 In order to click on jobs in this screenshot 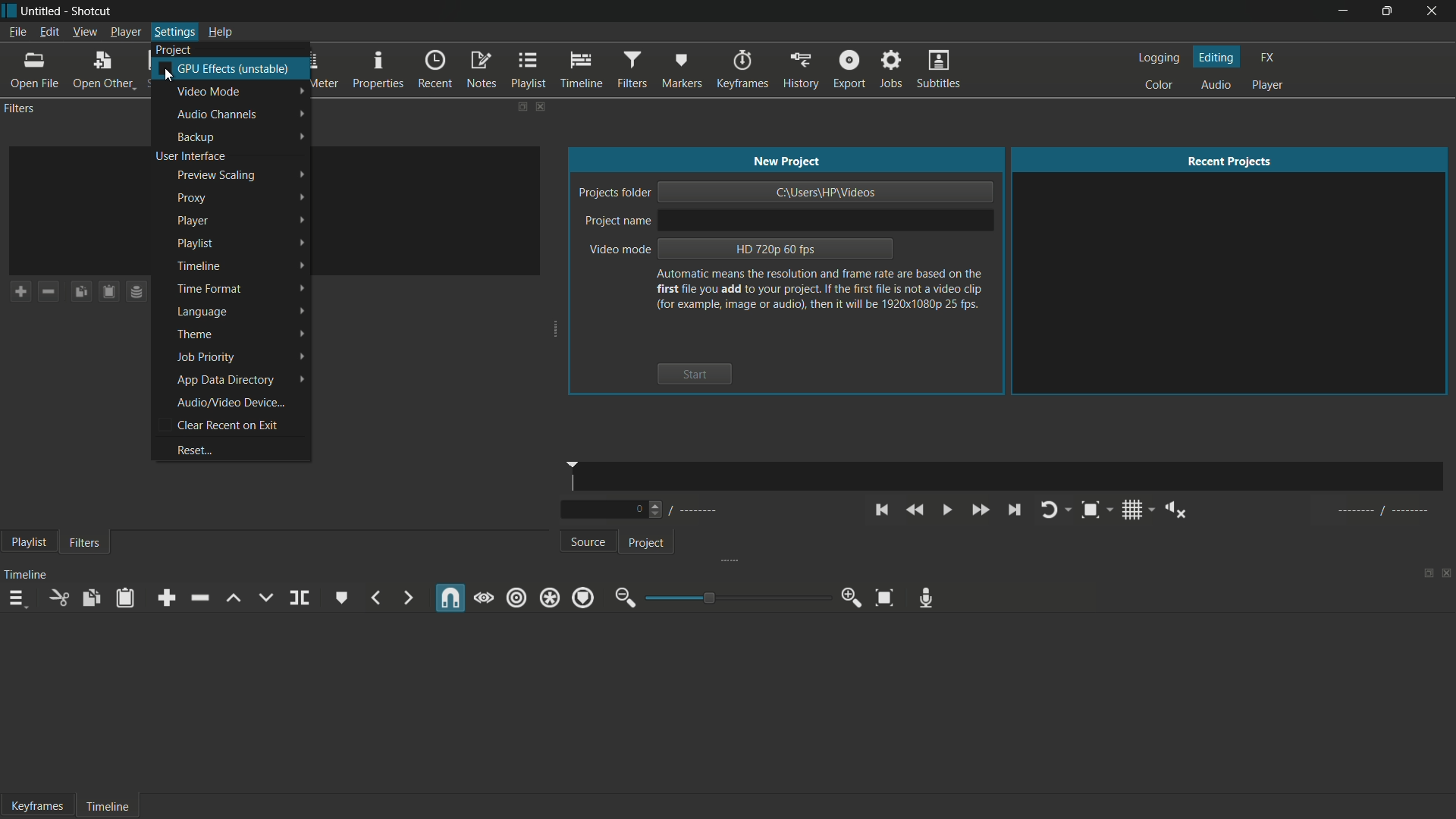, I will do `click(892, 69)`.